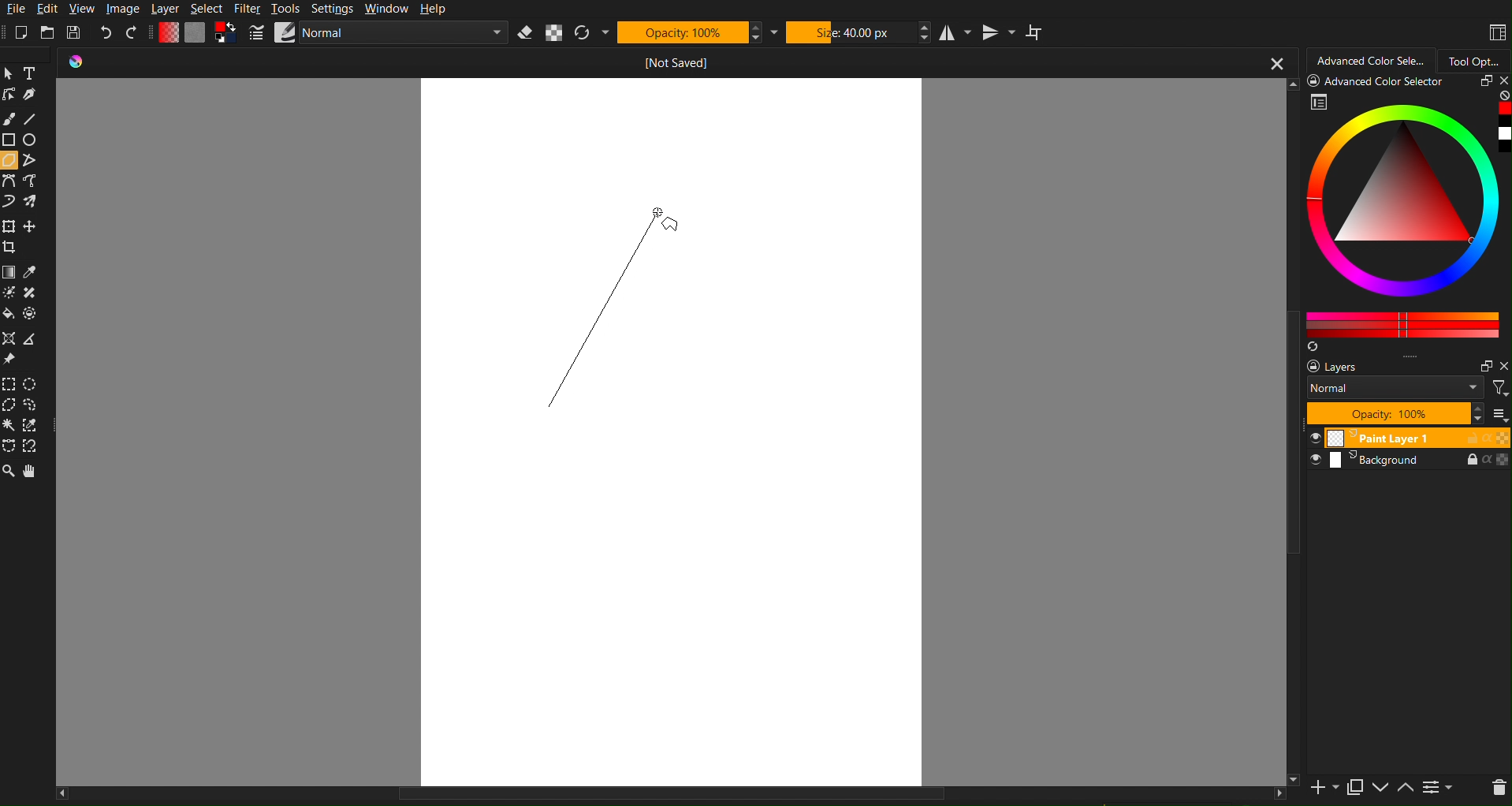  Describe the element at coordinates (1477, 58) in the screenshot. I see `Tool Options` at that location.